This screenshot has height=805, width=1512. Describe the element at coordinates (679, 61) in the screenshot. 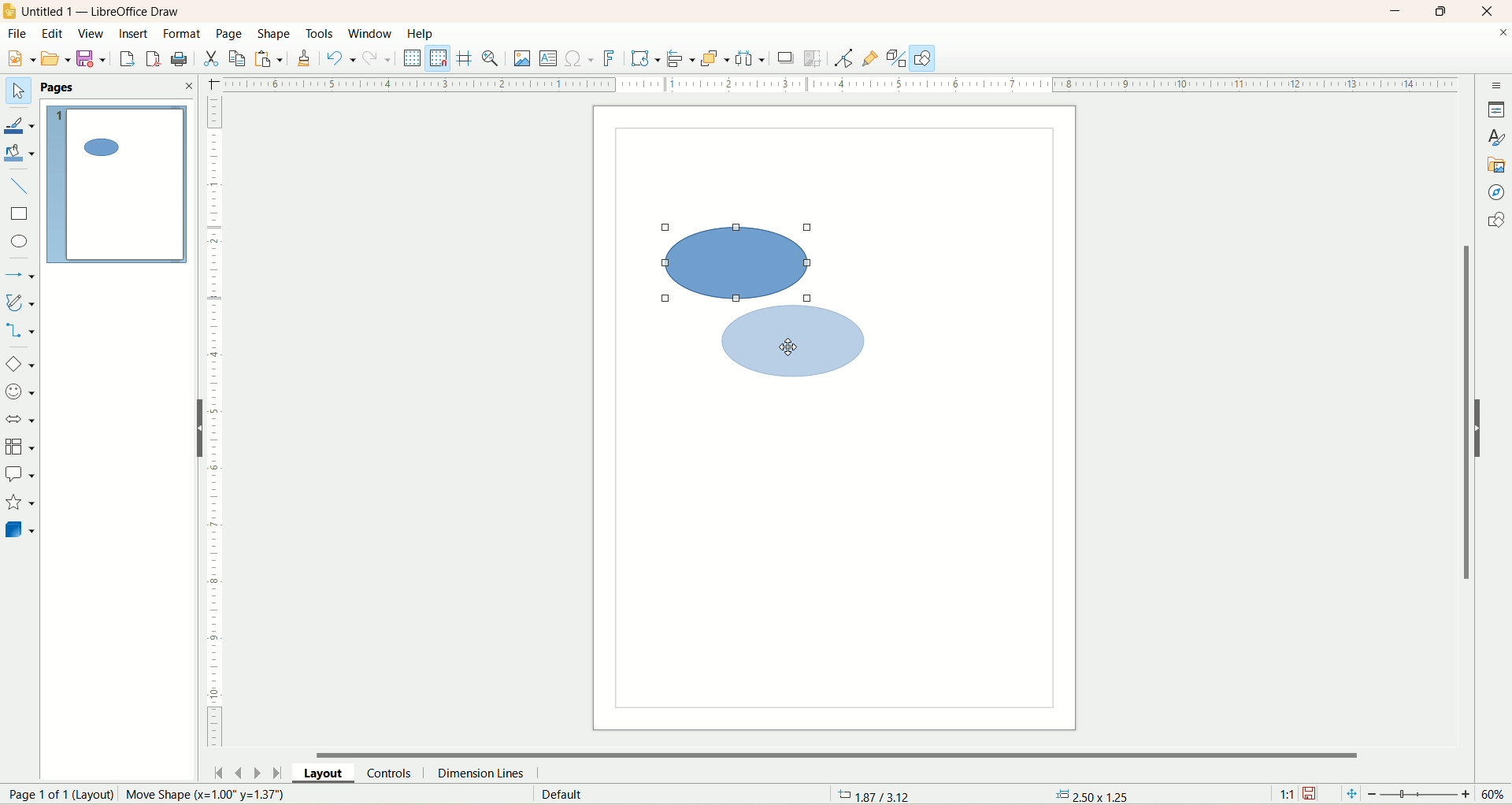

I see `allign` at that location.